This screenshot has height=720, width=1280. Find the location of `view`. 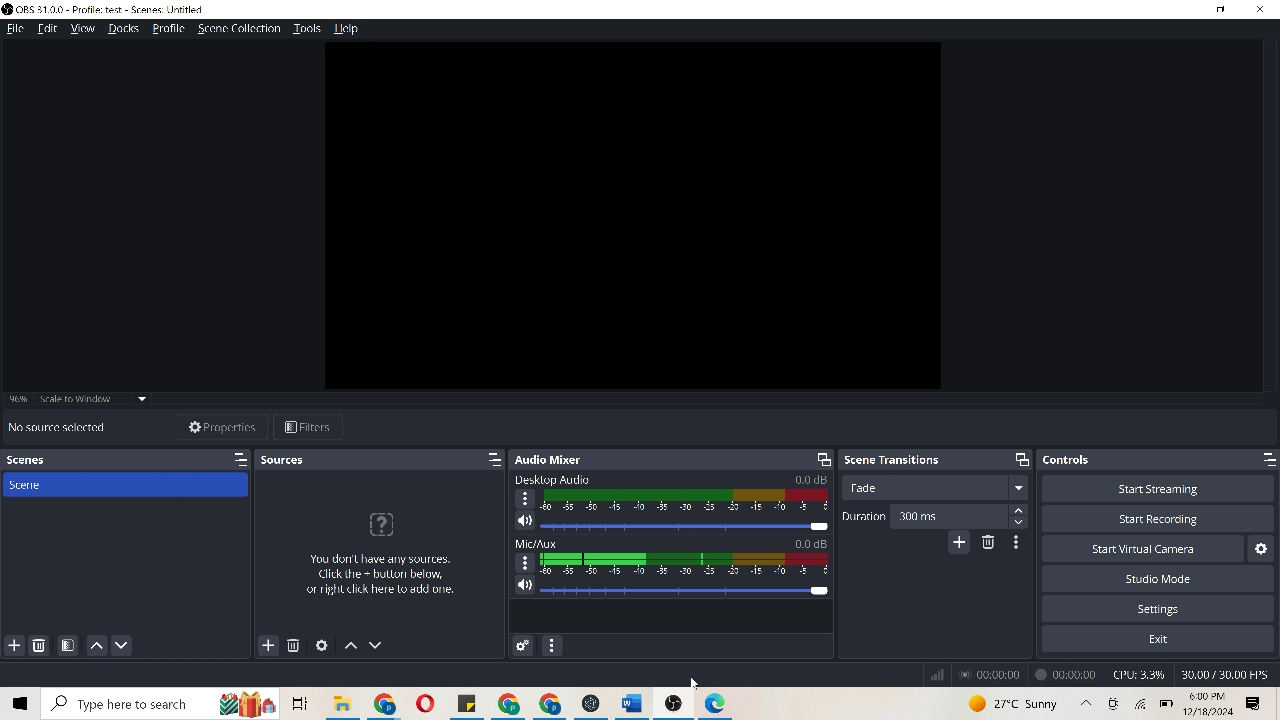

view is located at coordinates (80, 29).